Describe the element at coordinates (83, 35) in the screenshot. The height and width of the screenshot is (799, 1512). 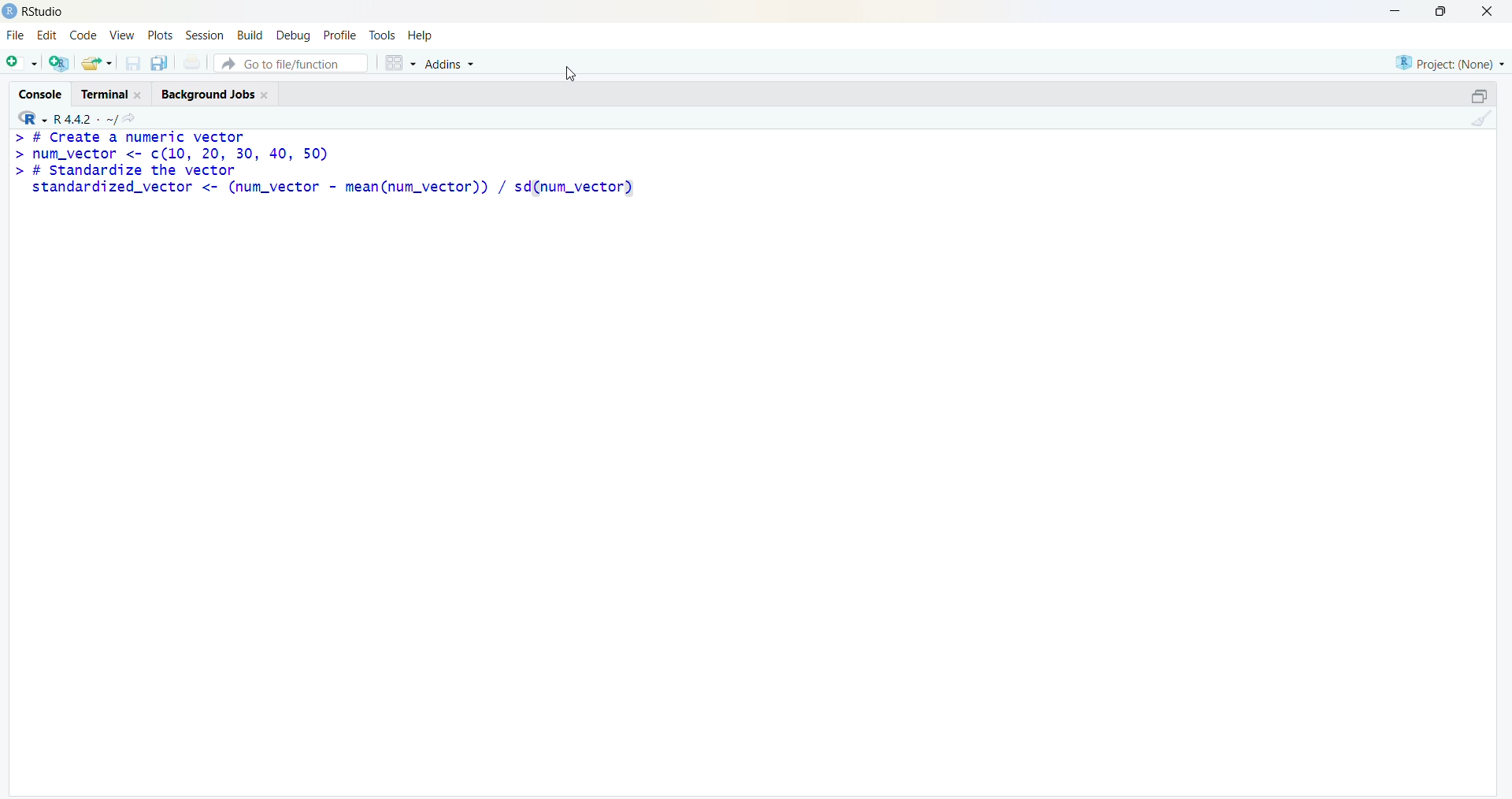
I see `code` at that location.